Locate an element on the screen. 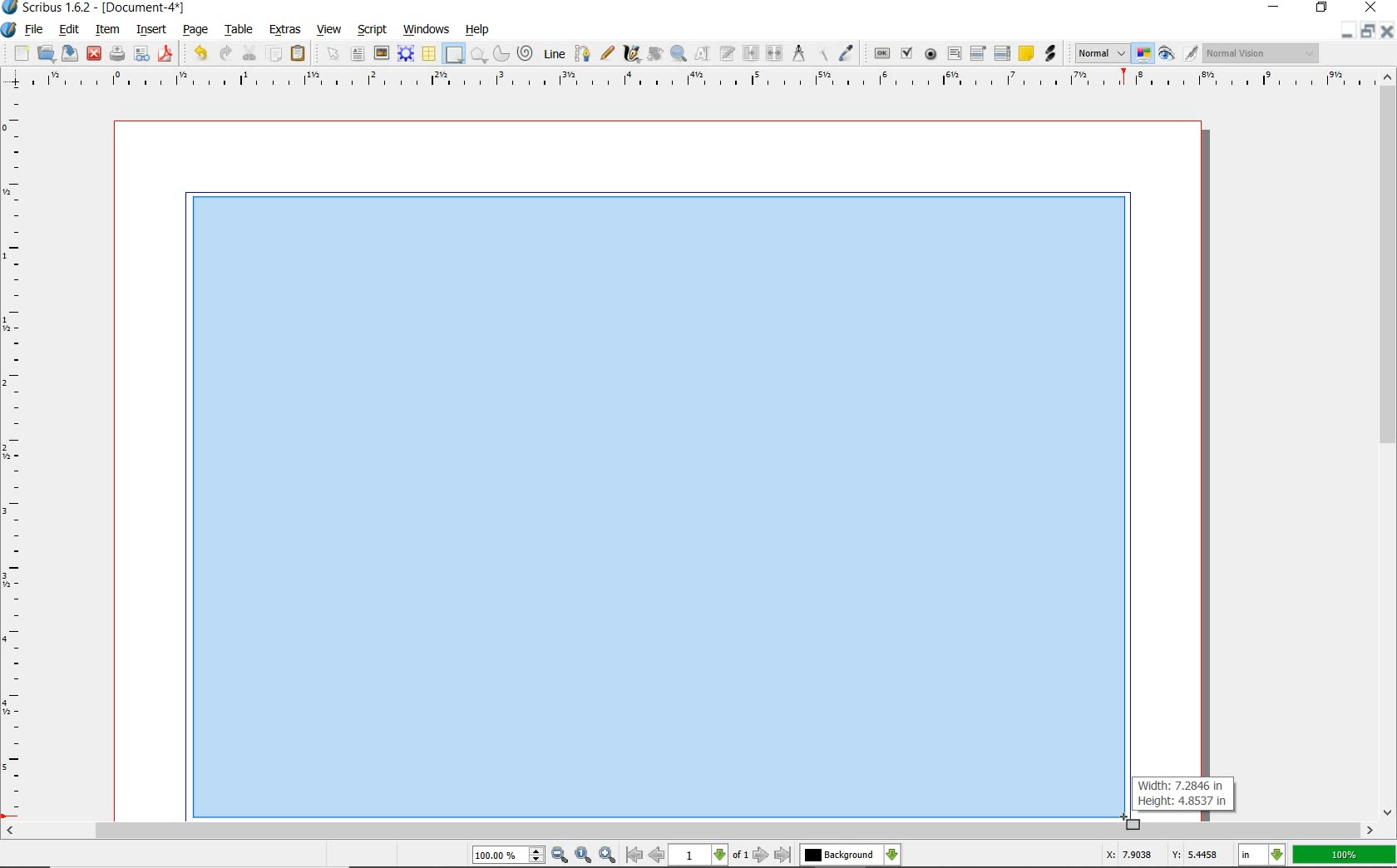 The image size is (1397, 868). select is located at coordinates (332, 52).